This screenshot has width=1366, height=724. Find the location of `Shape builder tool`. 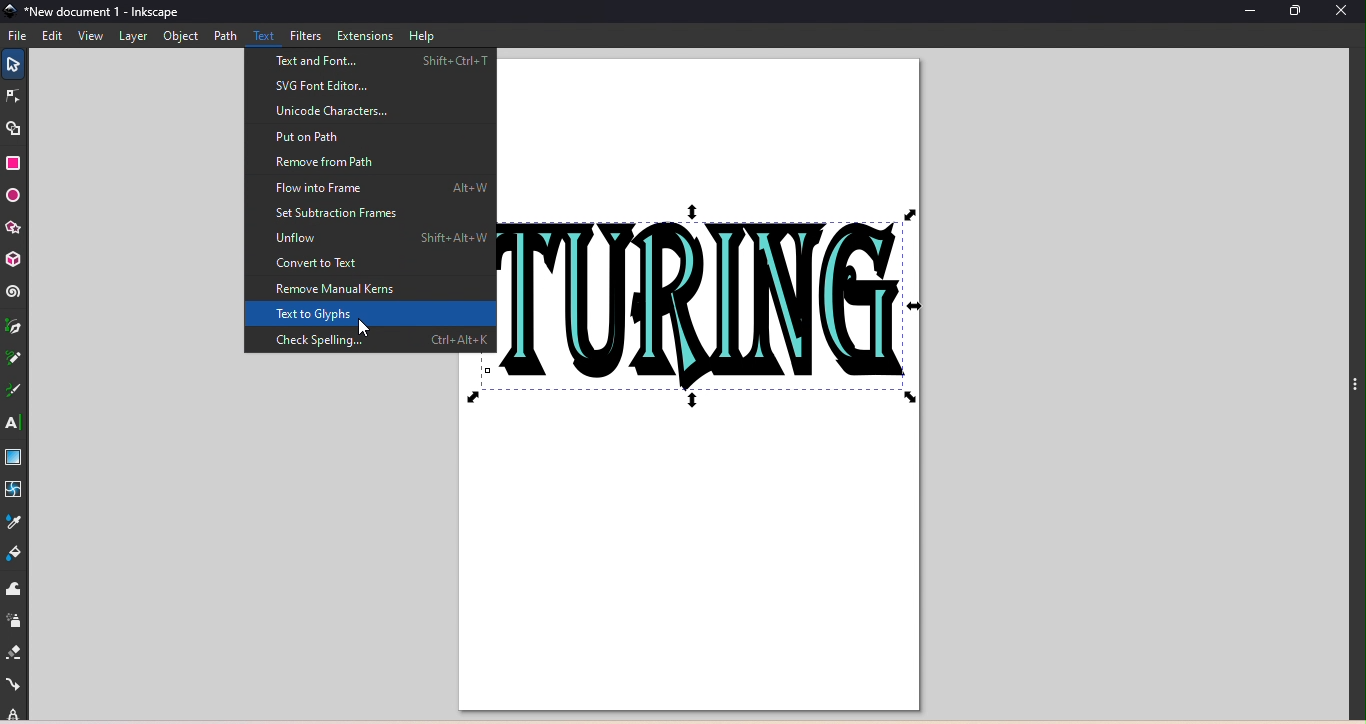

Shape builder tool is located at coordinates (19, 128).